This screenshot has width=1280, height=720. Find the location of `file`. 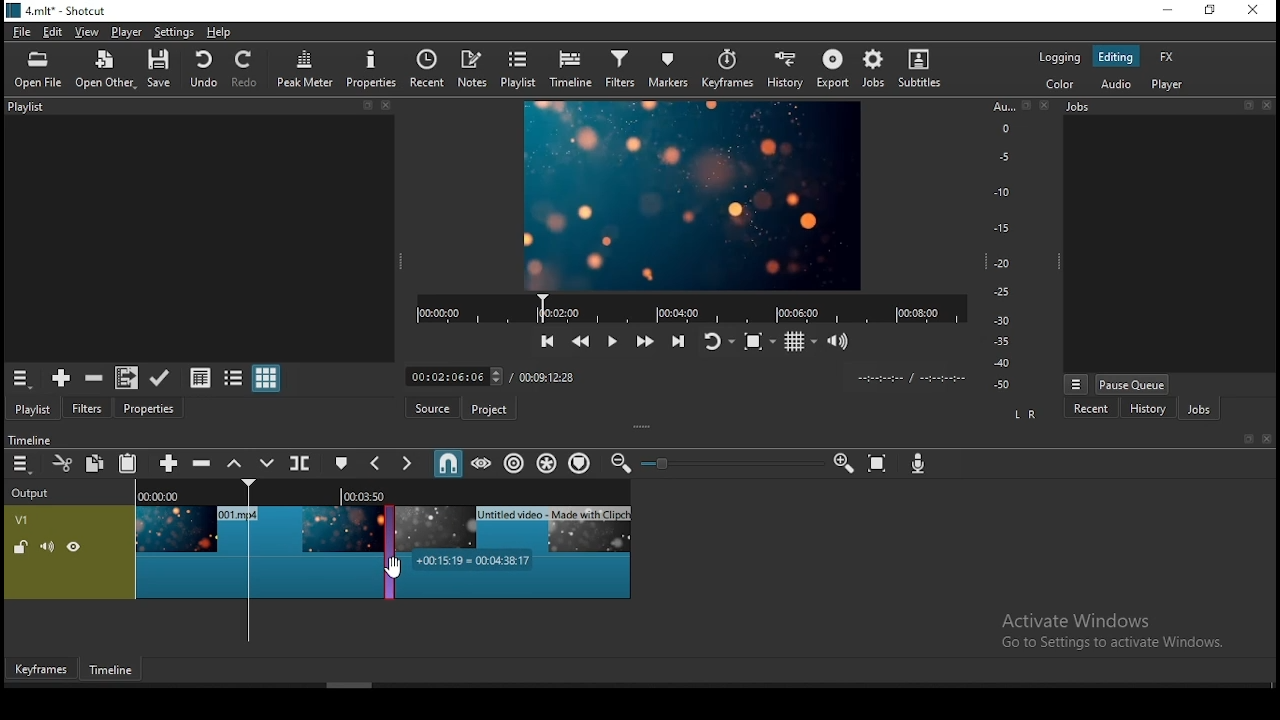

file is located at coordinates (22, 31).